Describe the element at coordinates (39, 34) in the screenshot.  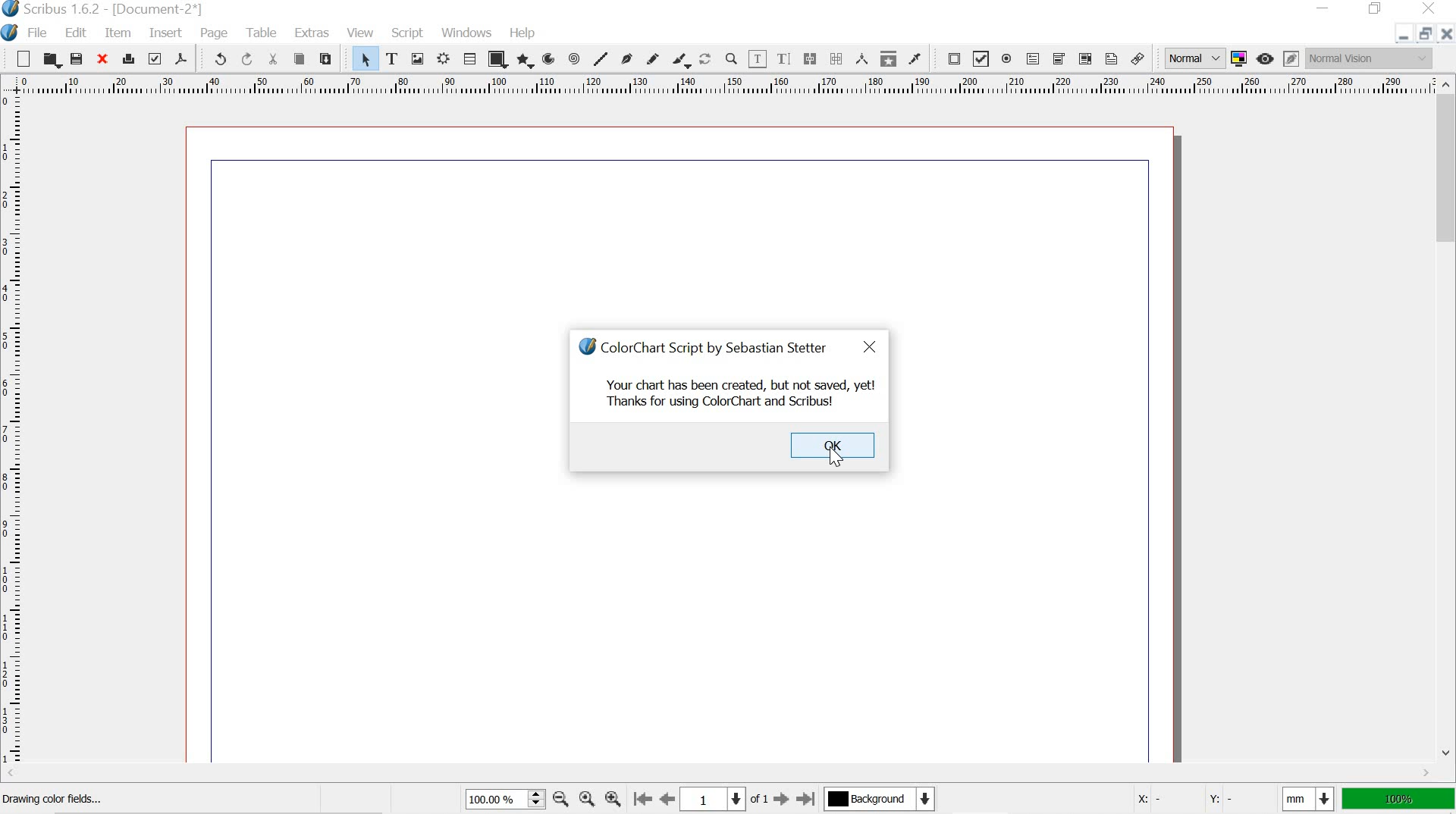
I see `file` at that location.